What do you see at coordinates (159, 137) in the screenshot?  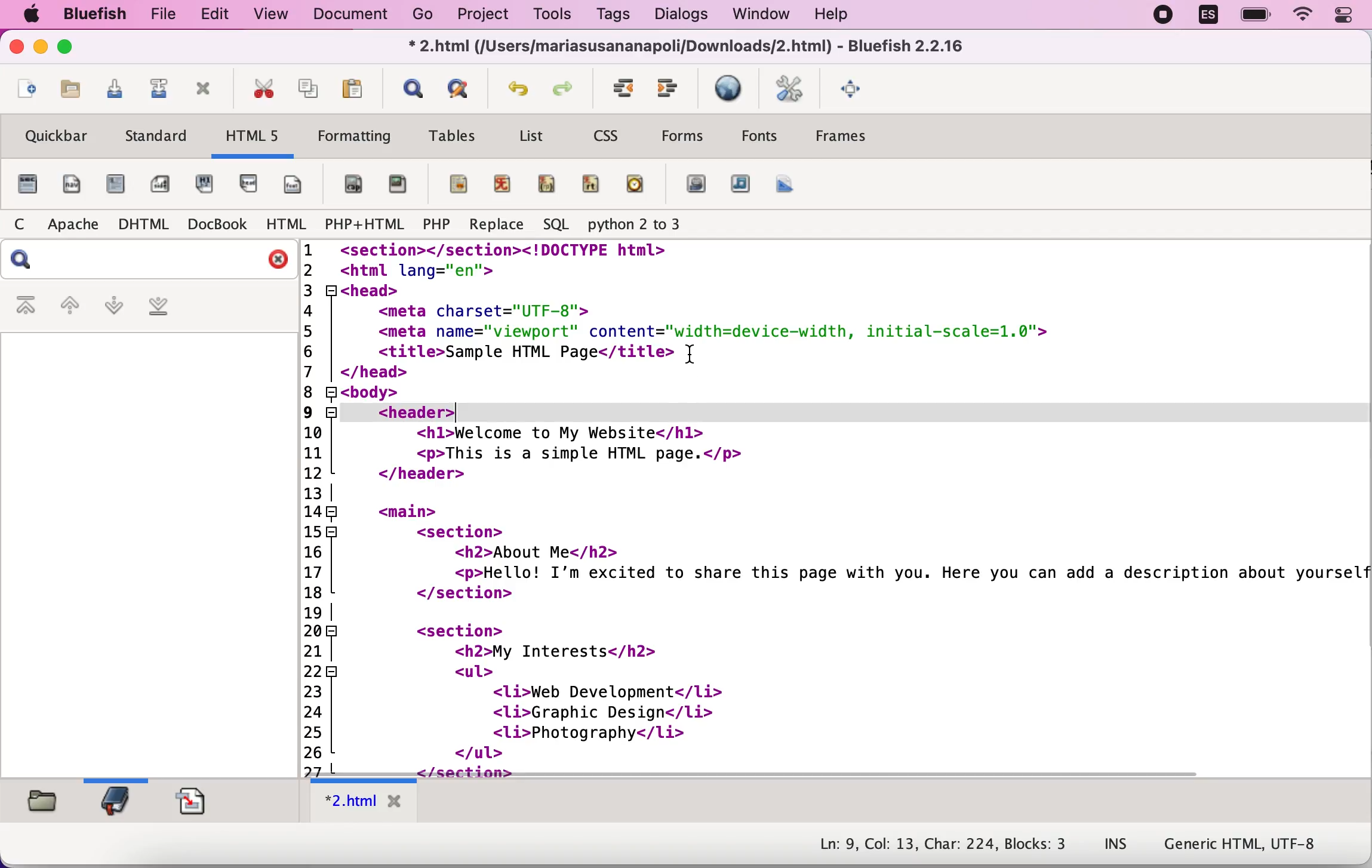 I see `standard` at bounding box center [159, 137].